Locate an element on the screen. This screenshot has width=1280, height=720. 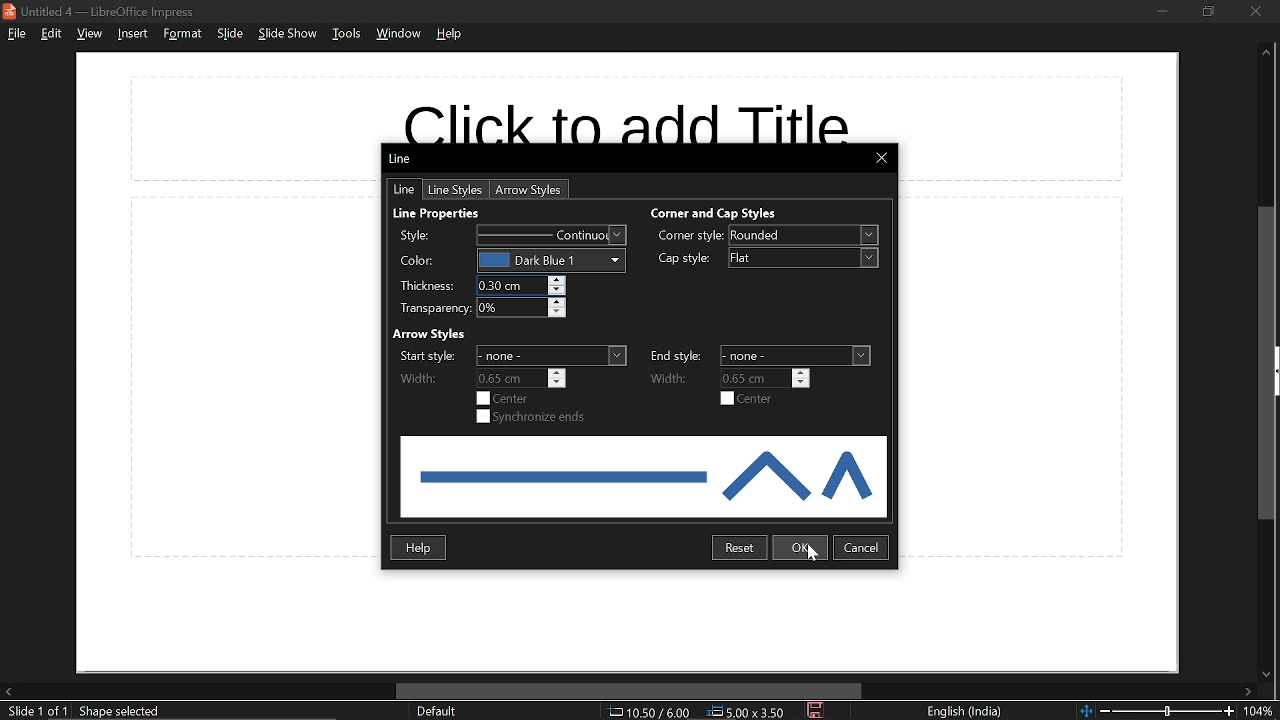
Labels is located at coordinates (433, 273).